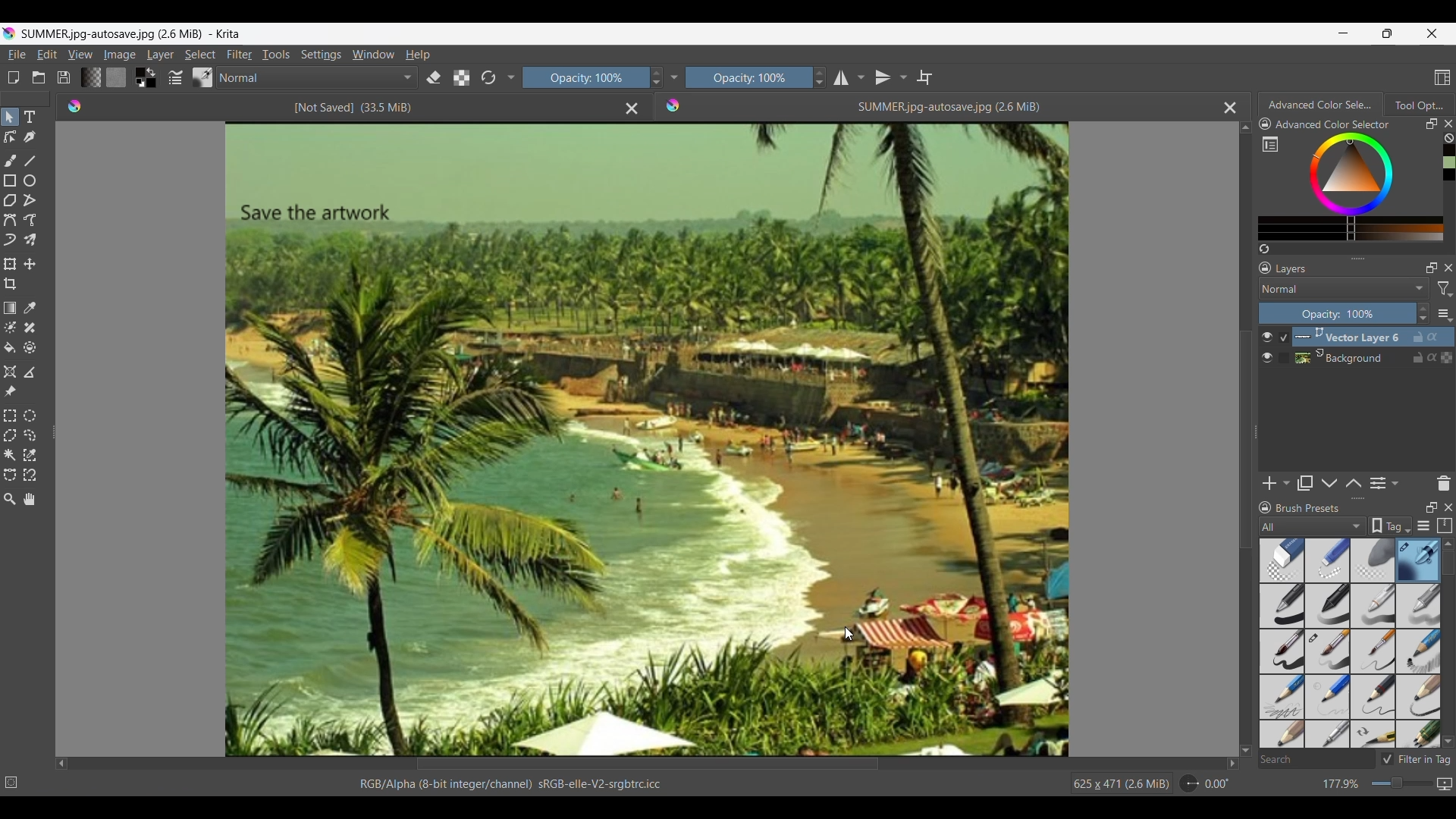  Describe the element at coordinates (175, 77) in the screenshot. I see `Edit brush settings` at that location.